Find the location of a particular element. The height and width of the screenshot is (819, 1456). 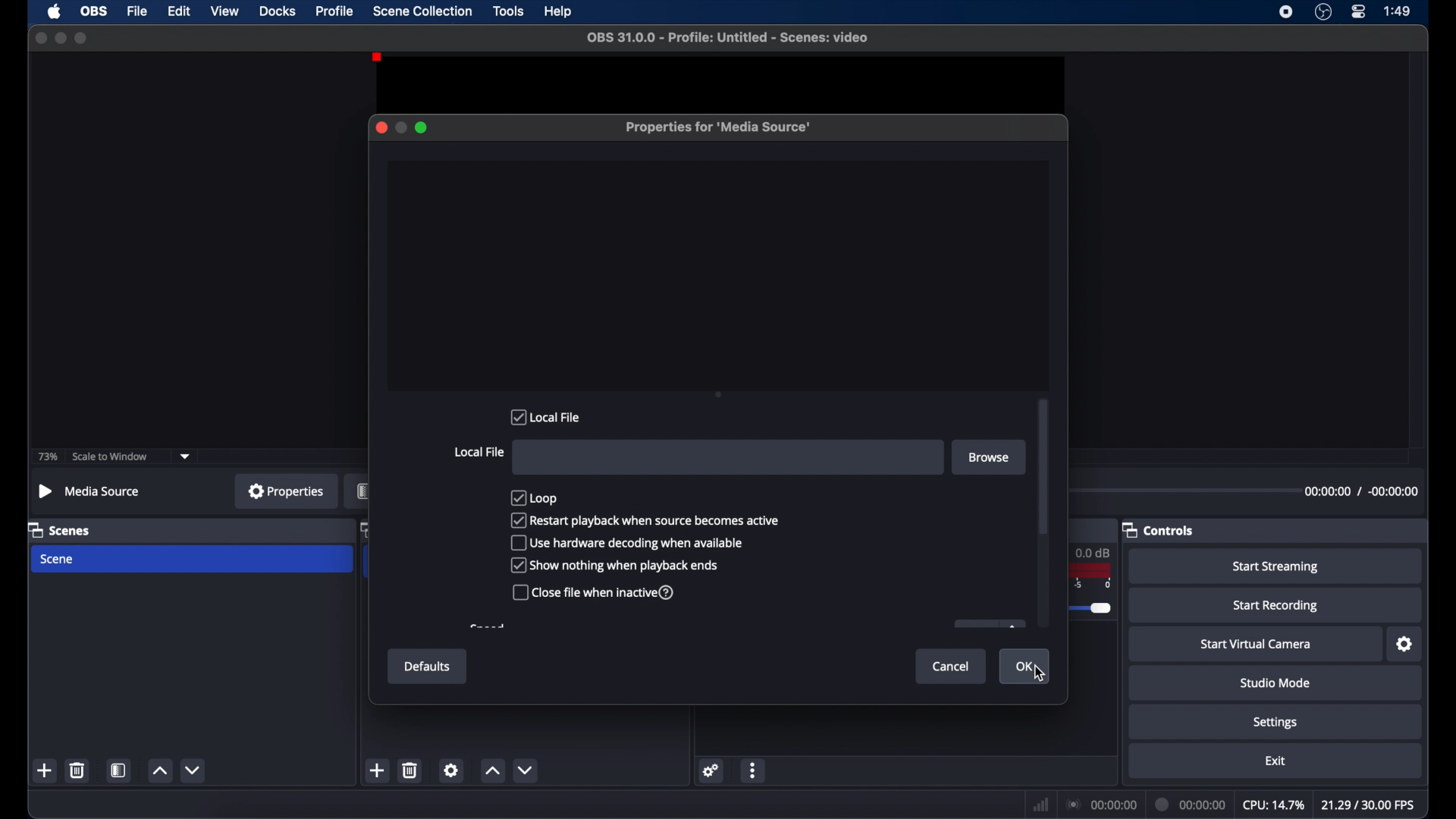

scale to window is located at coordinates (111, 457).